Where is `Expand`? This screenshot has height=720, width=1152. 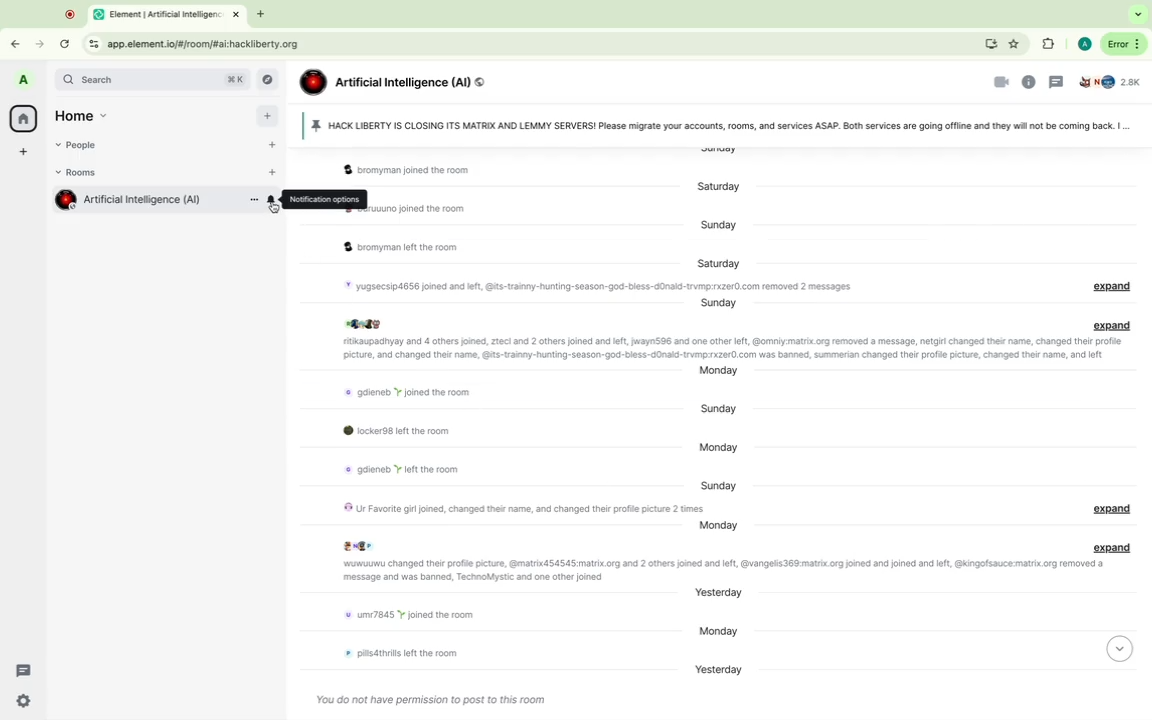 Expand is located at coordinates (1115, 287).